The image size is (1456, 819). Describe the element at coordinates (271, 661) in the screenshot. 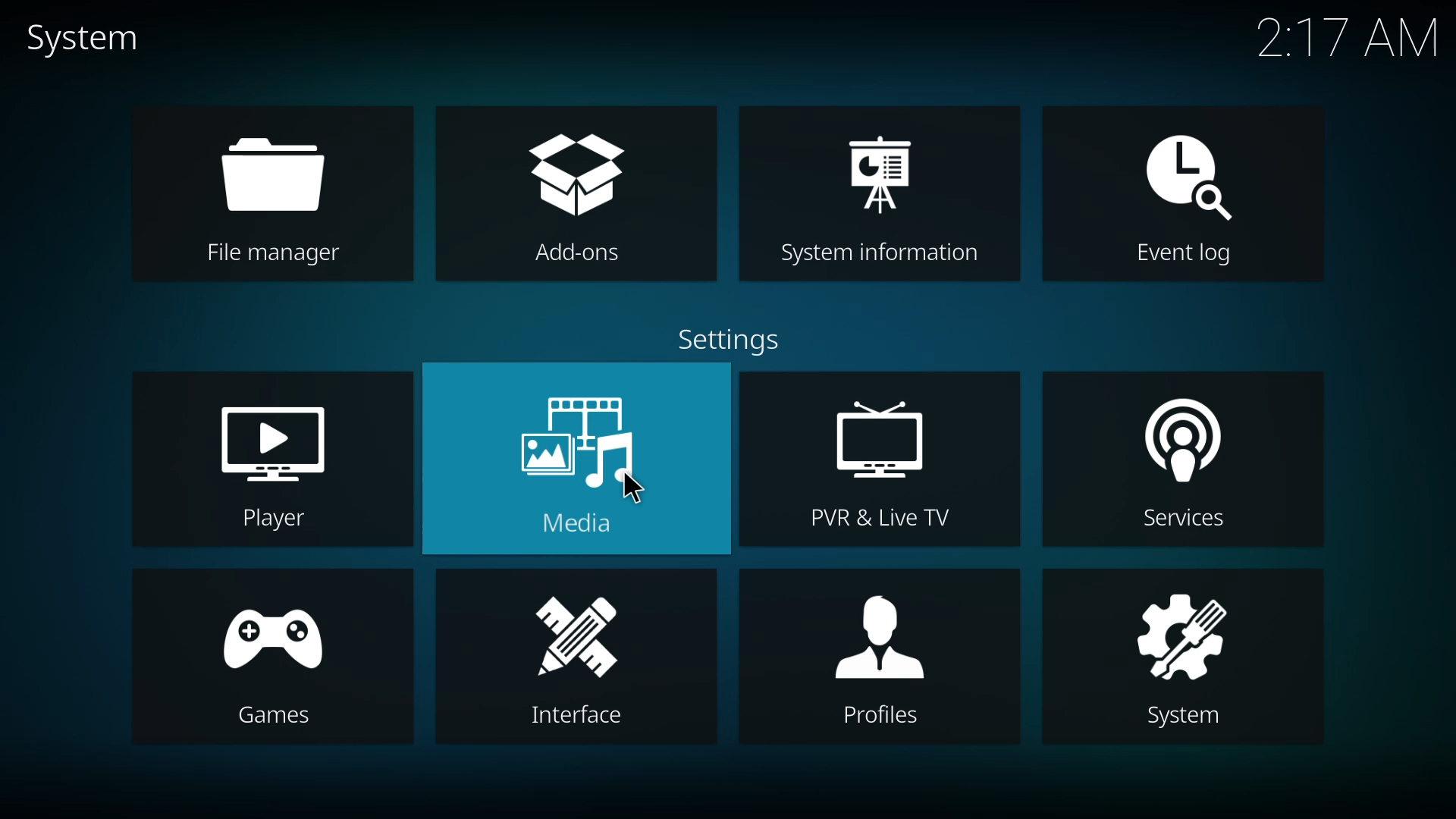

I see `games` at that location.